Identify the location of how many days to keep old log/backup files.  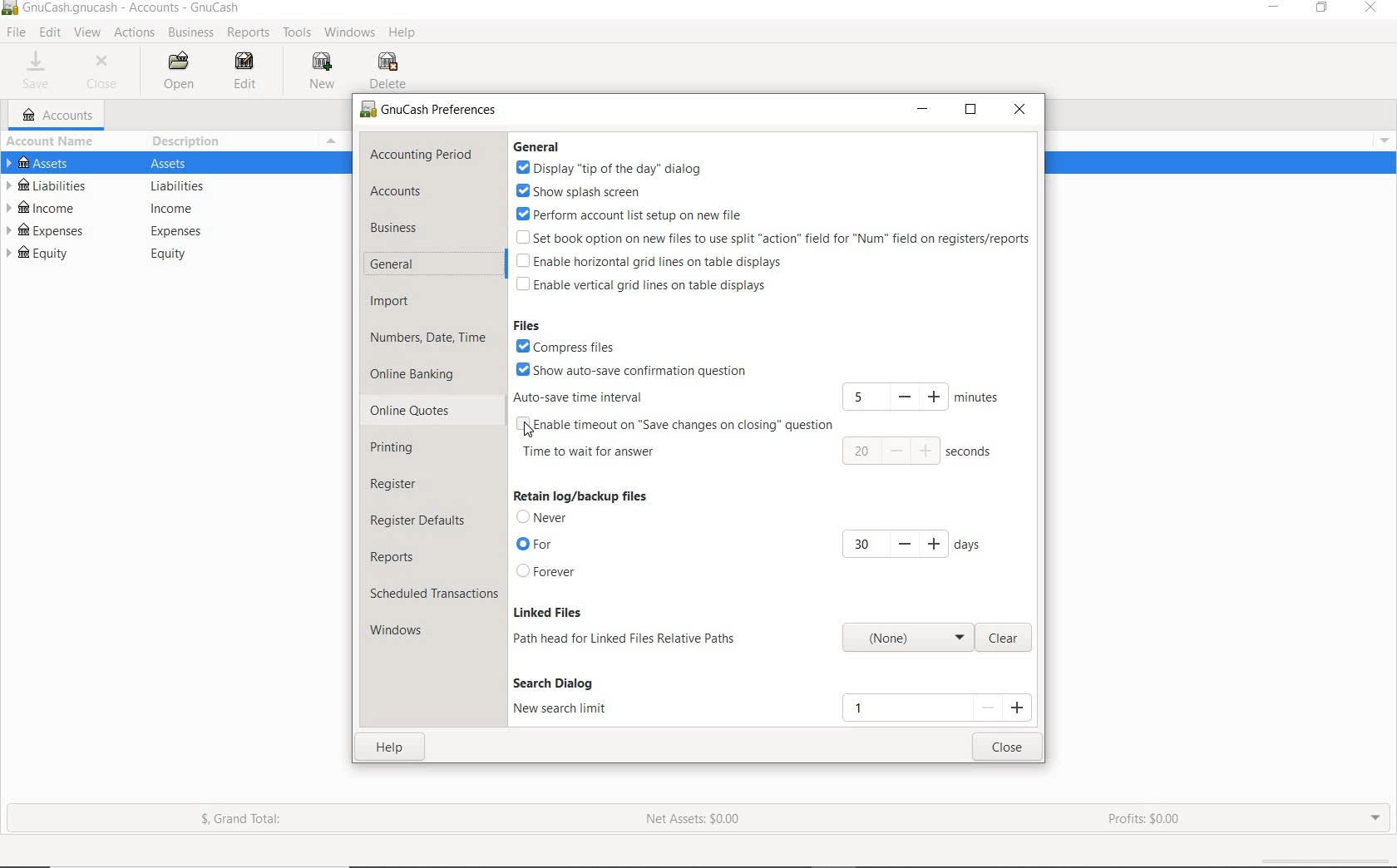
(908, 544).